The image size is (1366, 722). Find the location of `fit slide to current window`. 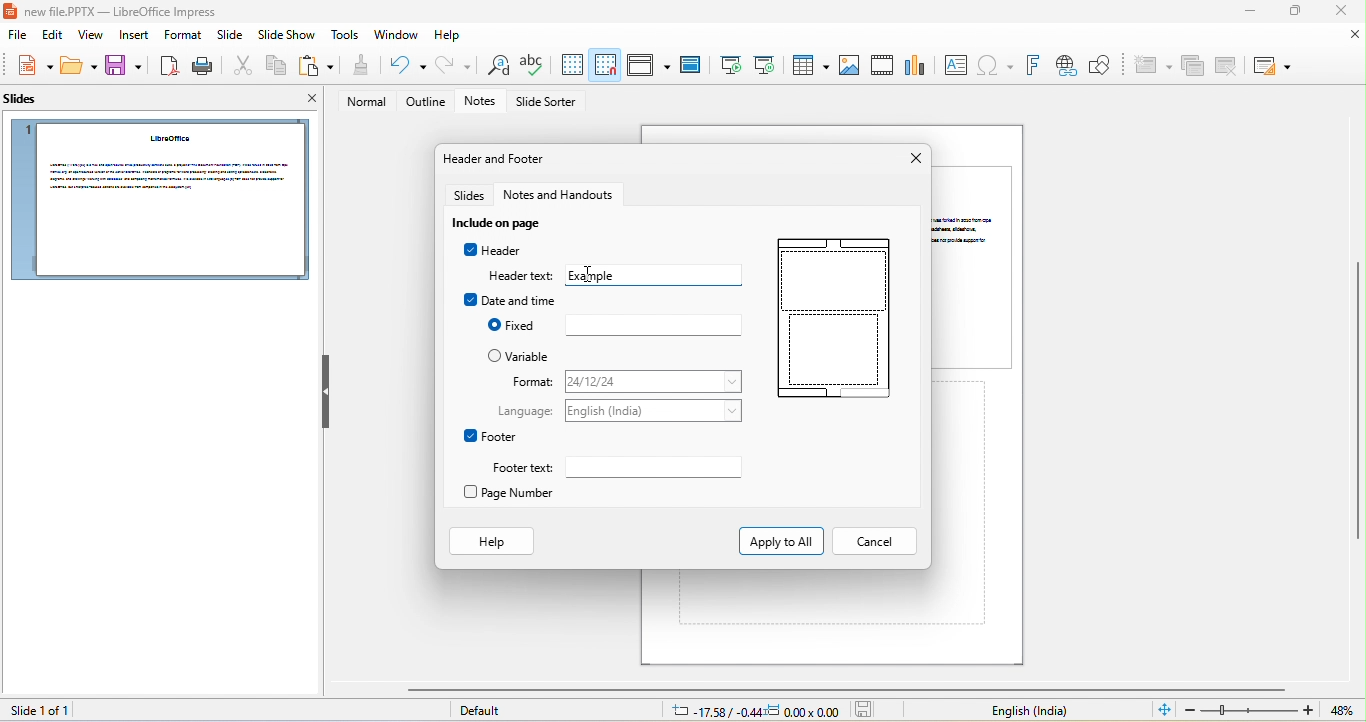

fit slide to current window is located at coordinates (1164, 709).